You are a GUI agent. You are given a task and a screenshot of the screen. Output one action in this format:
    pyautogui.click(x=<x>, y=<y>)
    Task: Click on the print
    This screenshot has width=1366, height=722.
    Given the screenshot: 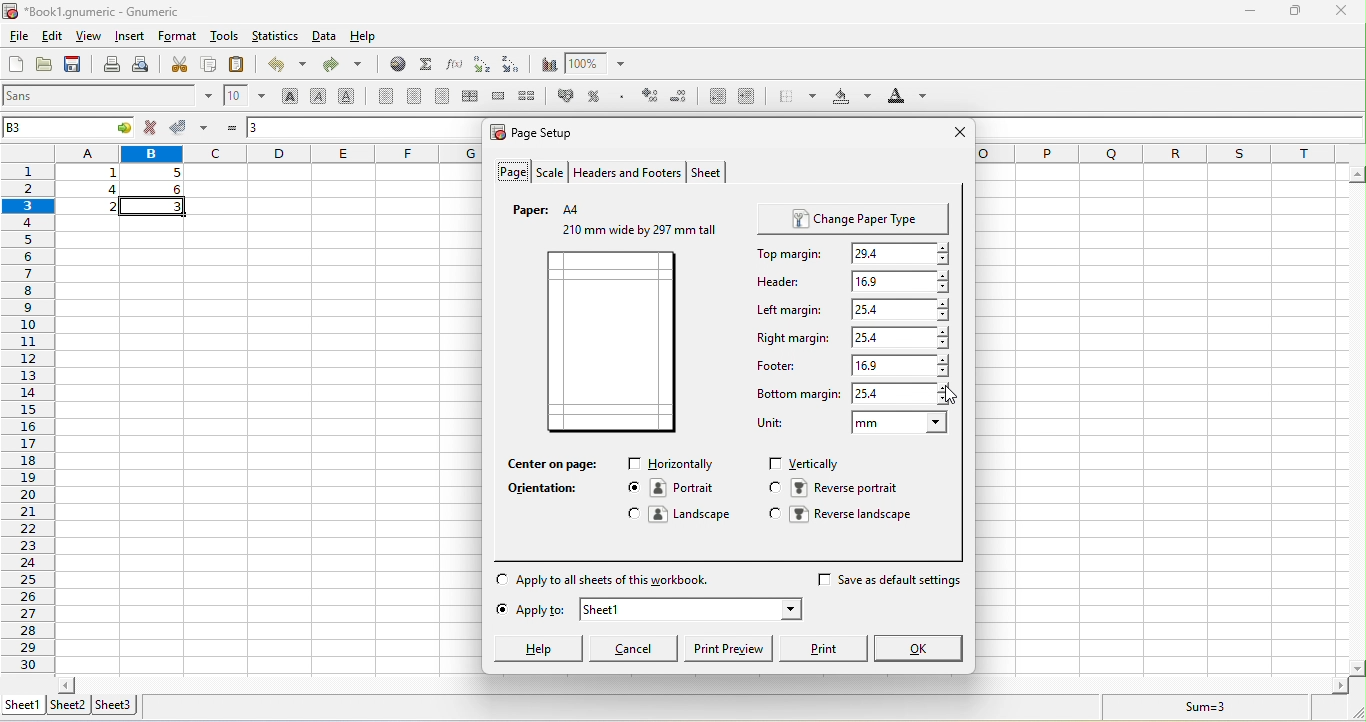 What is the action you would take?
    pyautogui.click(x=826, y=648)
    